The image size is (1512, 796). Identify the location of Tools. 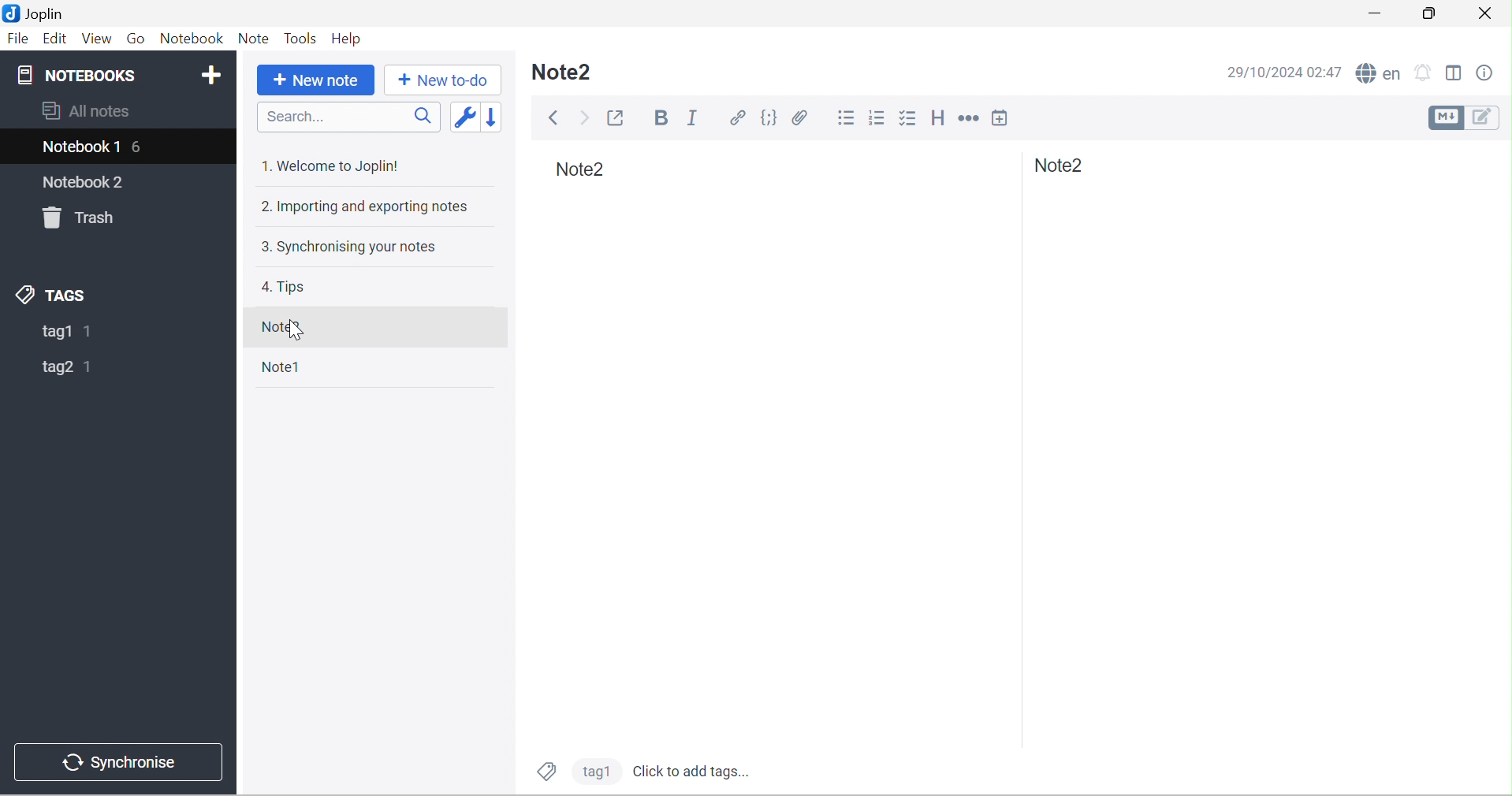
(302, 39).